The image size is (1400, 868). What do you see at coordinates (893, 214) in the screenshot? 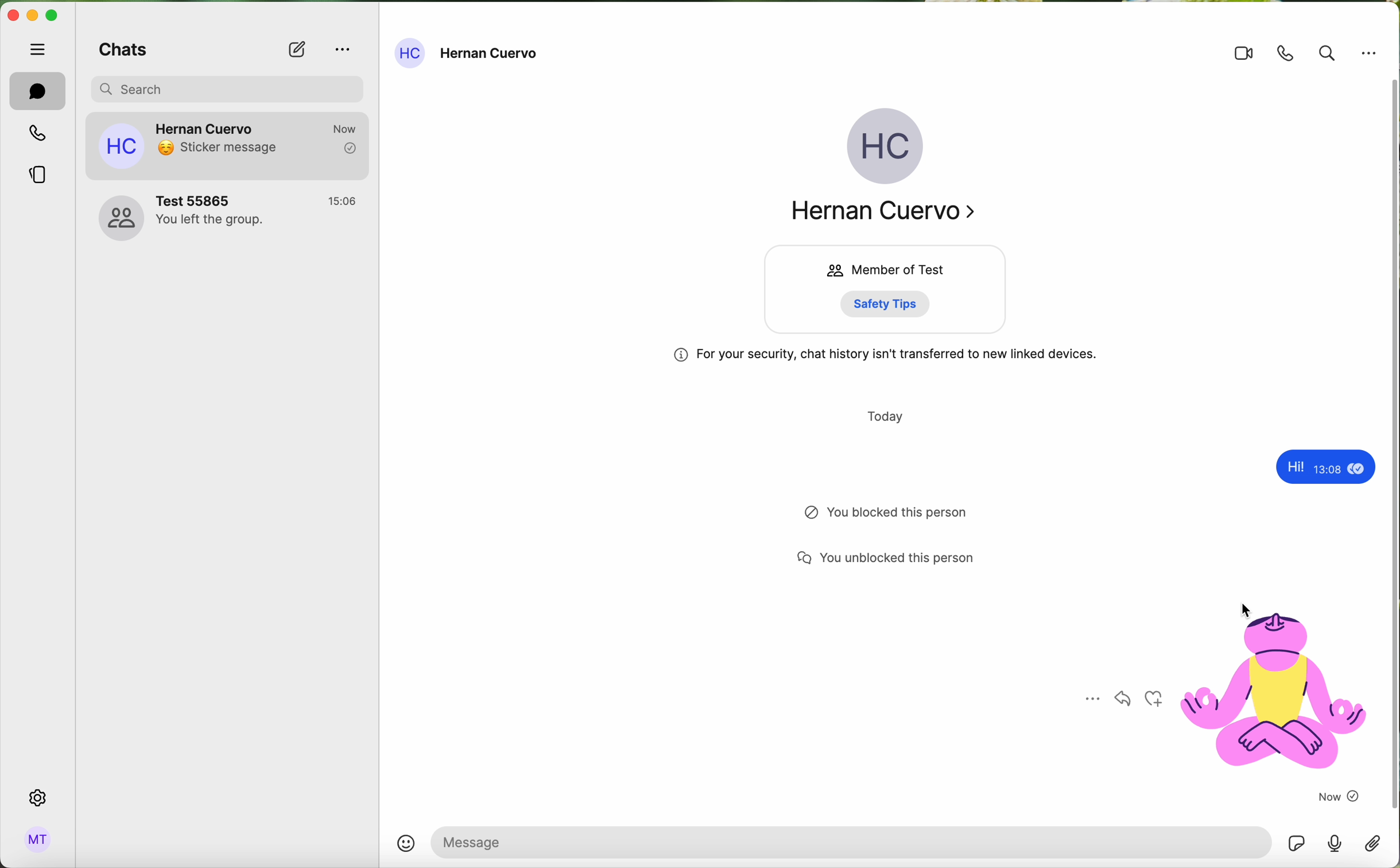
I see `Hernan Cuvero` at bounding box center [893, 214].